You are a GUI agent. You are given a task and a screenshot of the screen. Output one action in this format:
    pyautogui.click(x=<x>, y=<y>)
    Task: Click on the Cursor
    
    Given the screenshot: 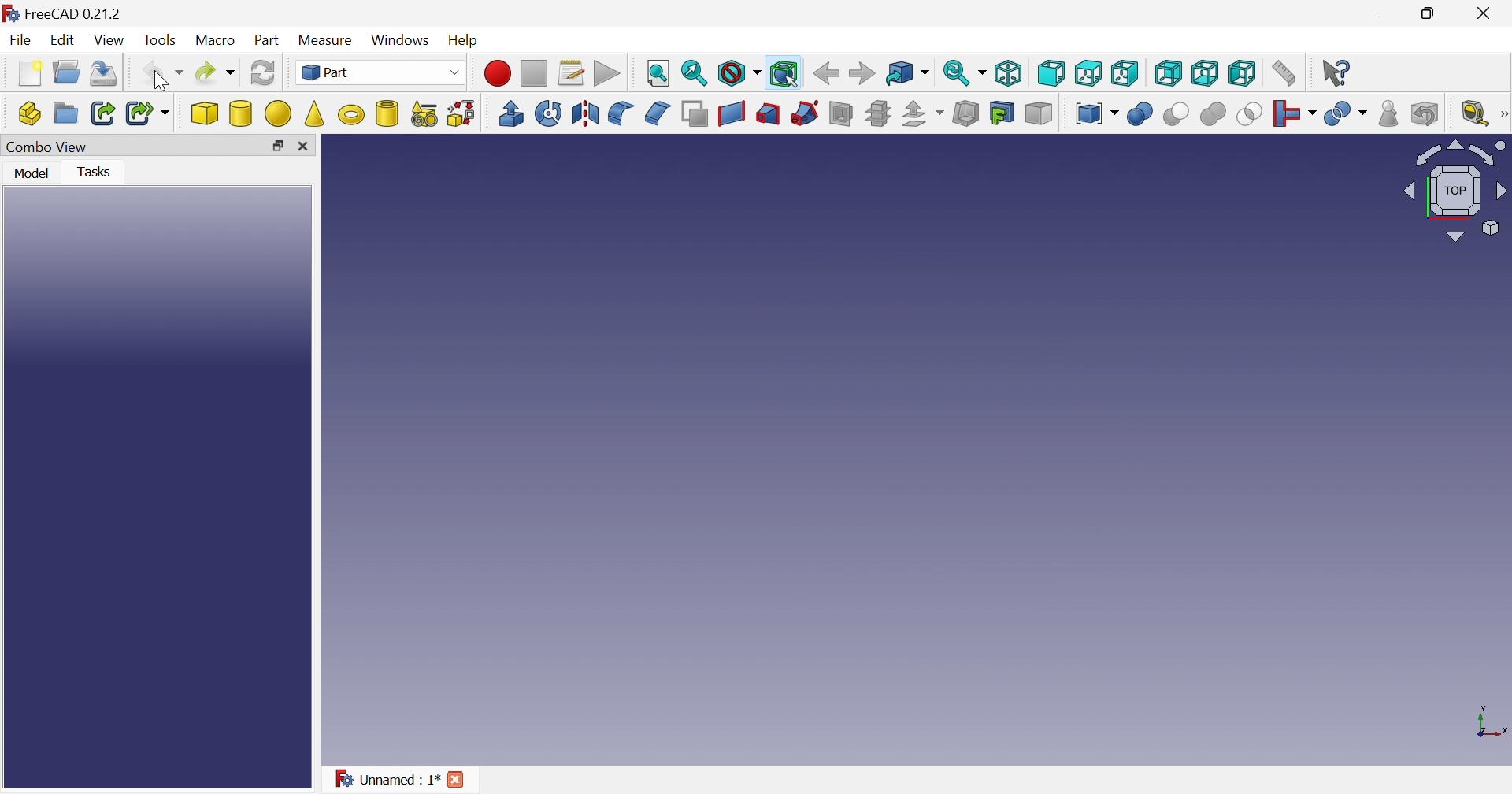 What is the action you would take?
    pyautogui.click(x=160, y=78)
    